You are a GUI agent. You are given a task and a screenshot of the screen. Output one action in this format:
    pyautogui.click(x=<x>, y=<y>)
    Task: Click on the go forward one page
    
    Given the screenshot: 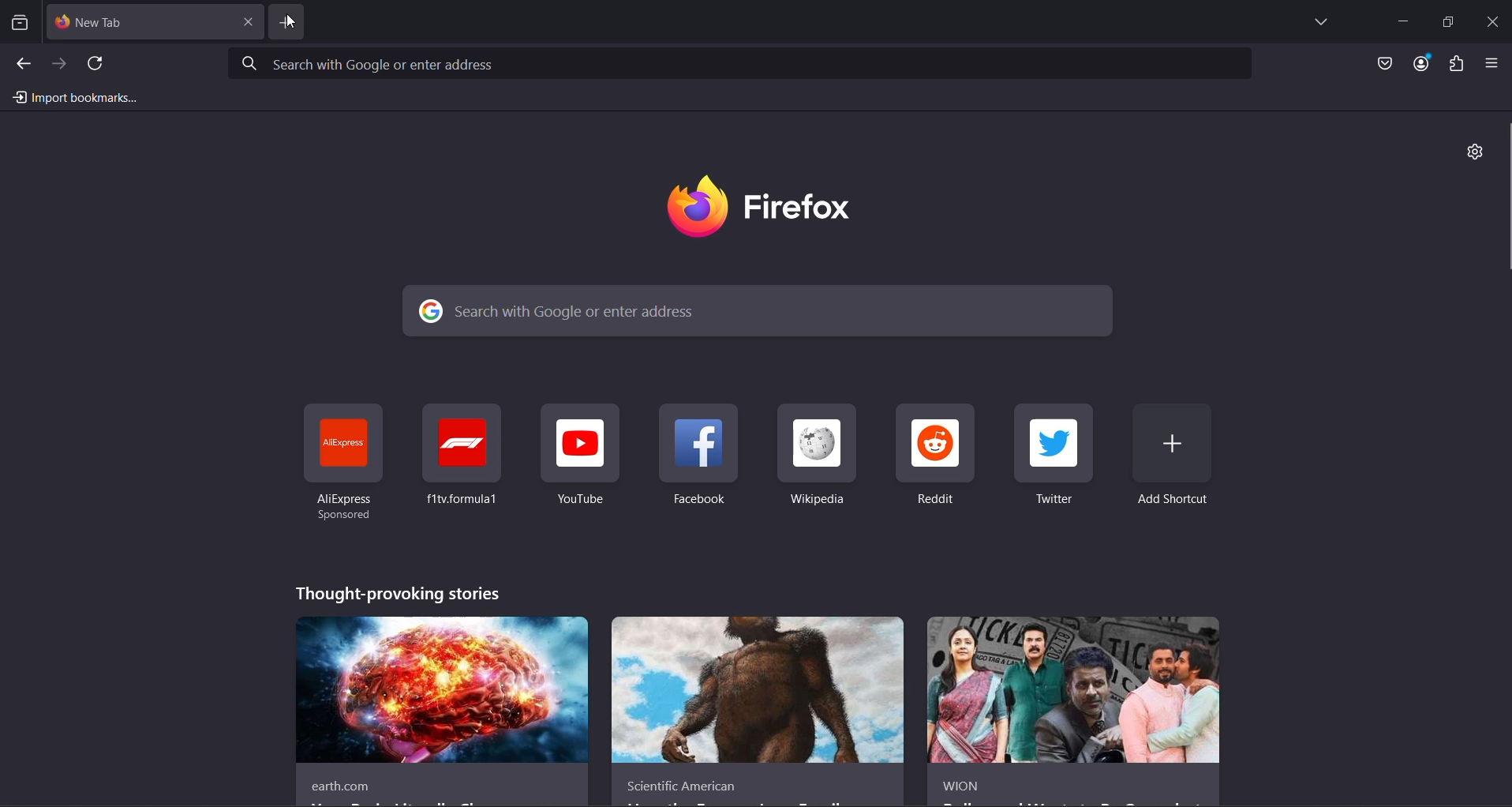 What is the action you would take?
    pyautogui.click(x=62, y=63)
    